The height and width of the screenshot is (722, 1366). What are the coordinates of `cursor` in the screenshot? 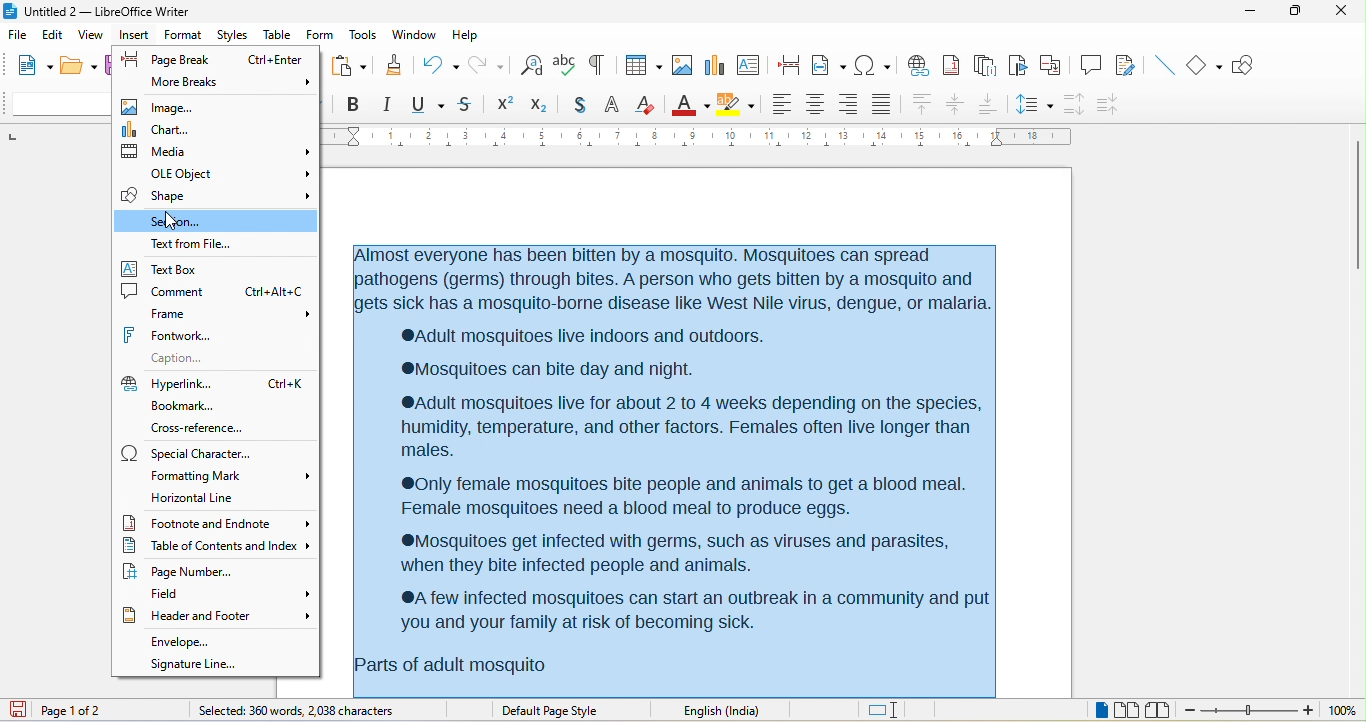 It's located at (170, 222).